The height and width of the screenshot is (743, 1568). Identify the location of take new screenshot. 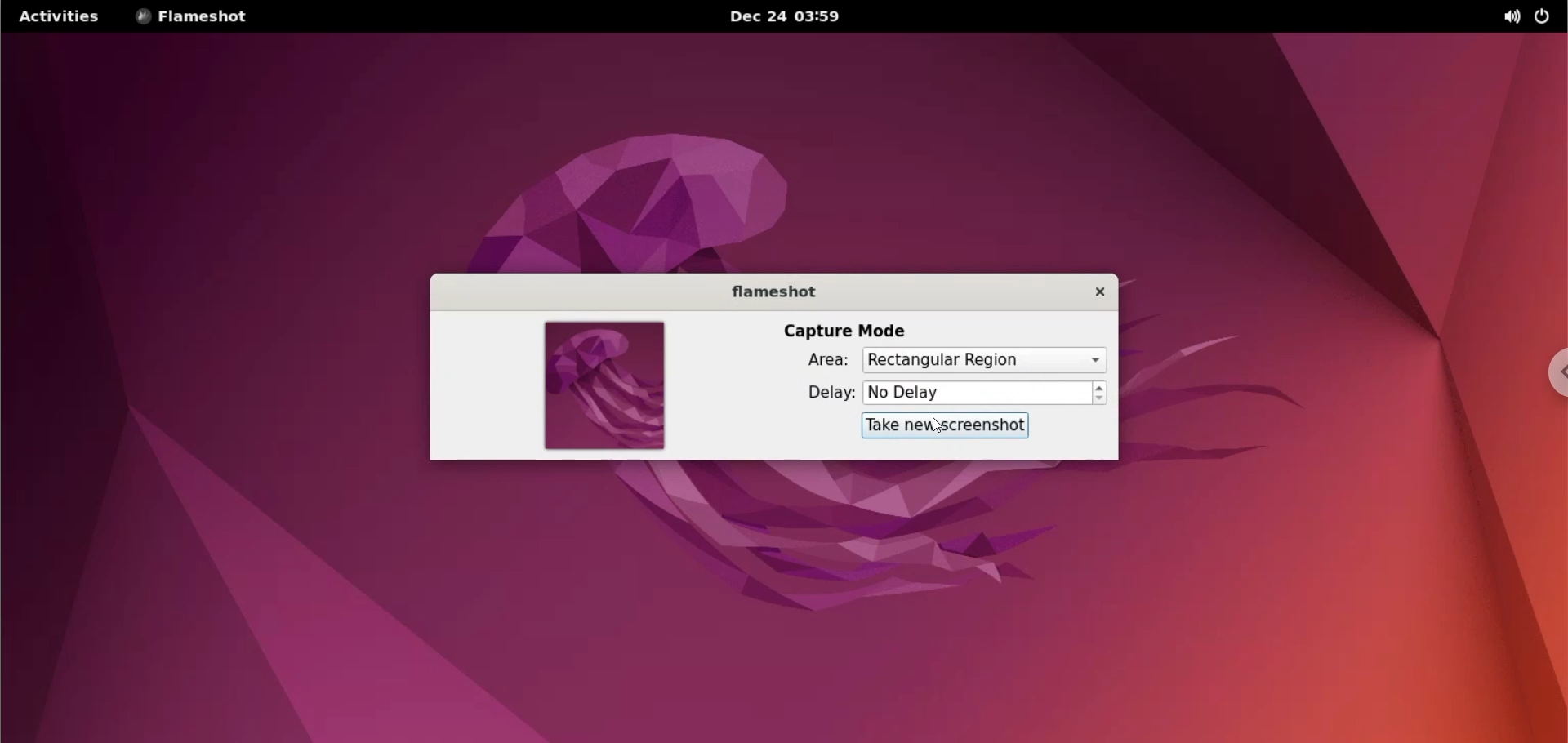
(945, 425).